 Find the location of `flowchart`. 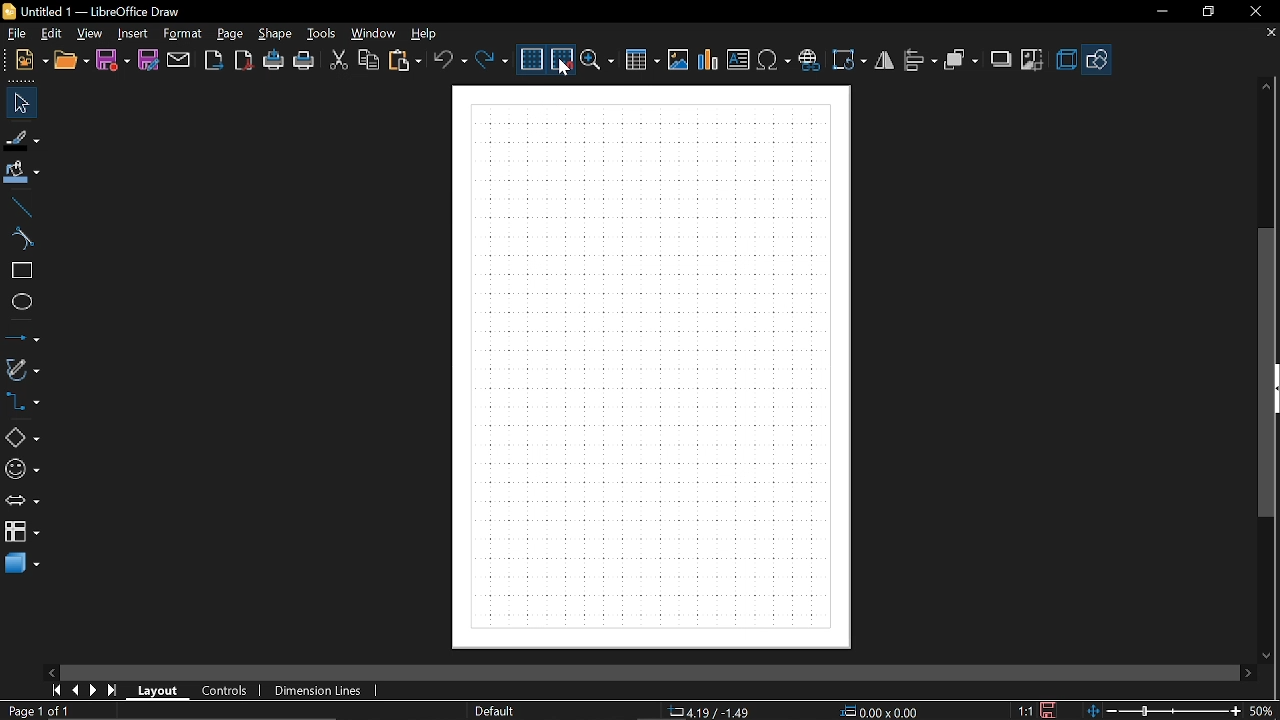

flowchart is located at coordinates (22, 532).